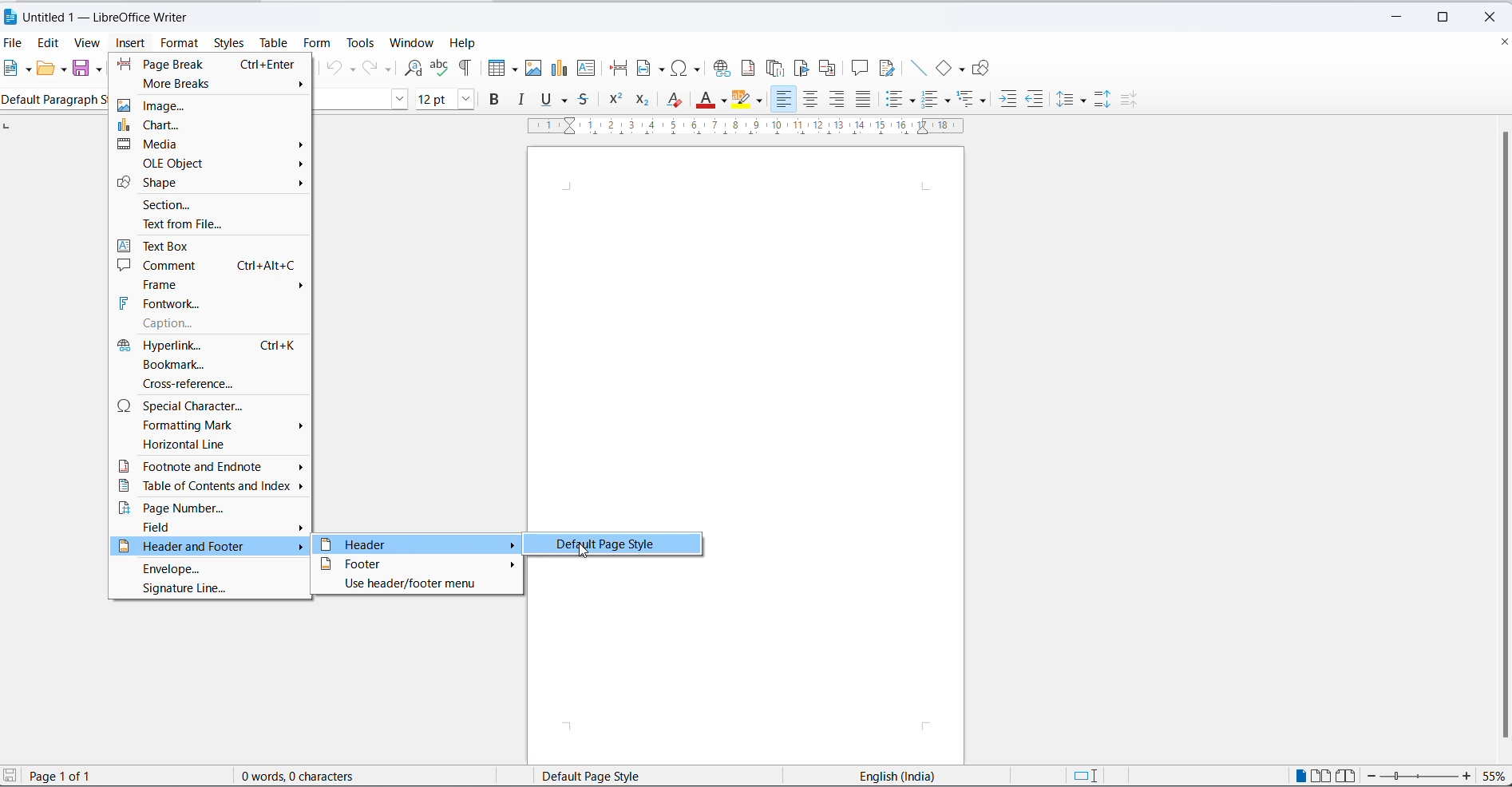 This screenshot has width=1512, height=787. Describe the element at coordinates (1347, 777) in the screenshot. I see `book view` at that location.